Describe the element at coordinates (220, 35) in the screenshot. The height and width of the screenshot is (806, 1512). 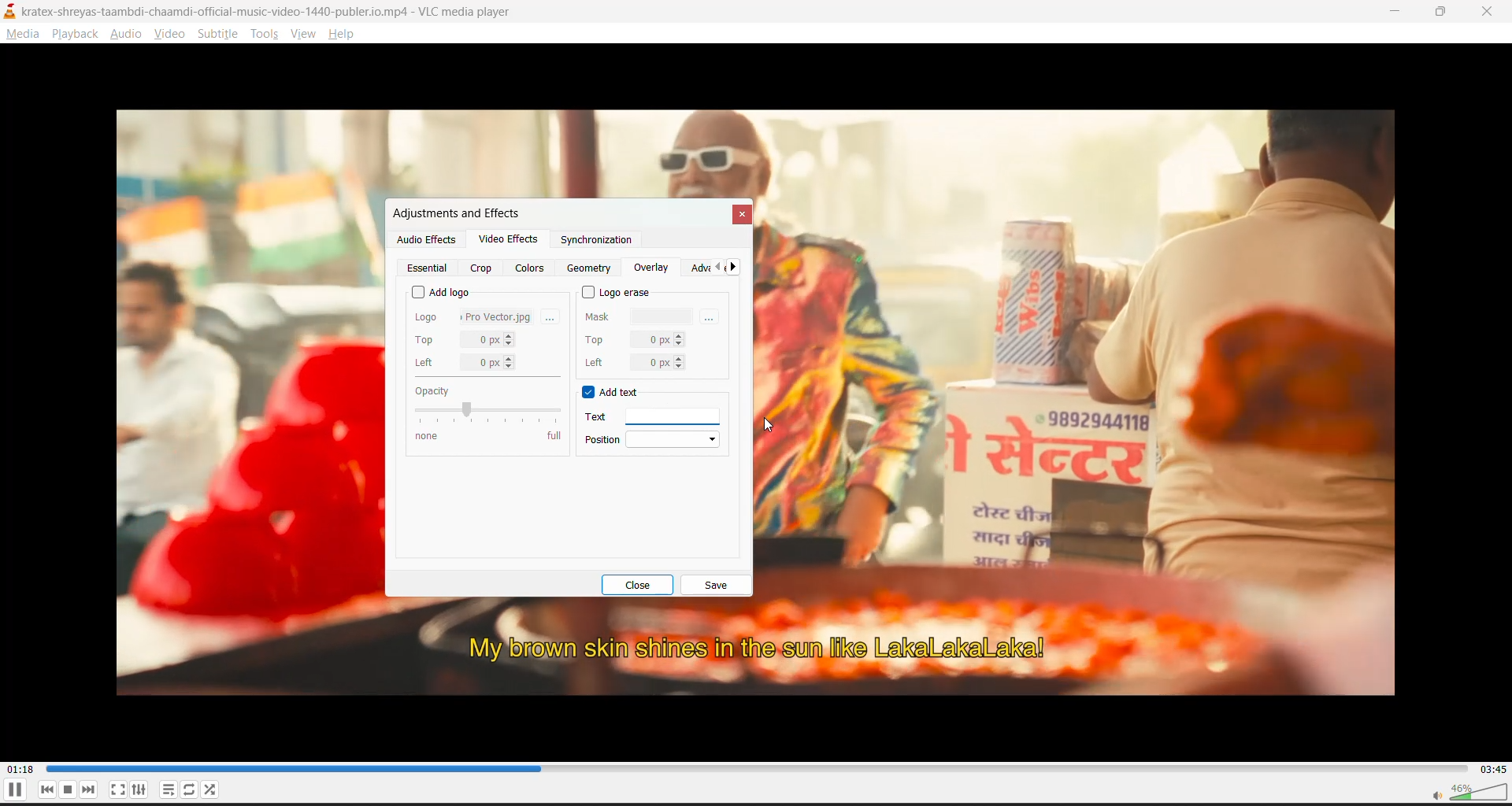
I see `subtitle` at that location.